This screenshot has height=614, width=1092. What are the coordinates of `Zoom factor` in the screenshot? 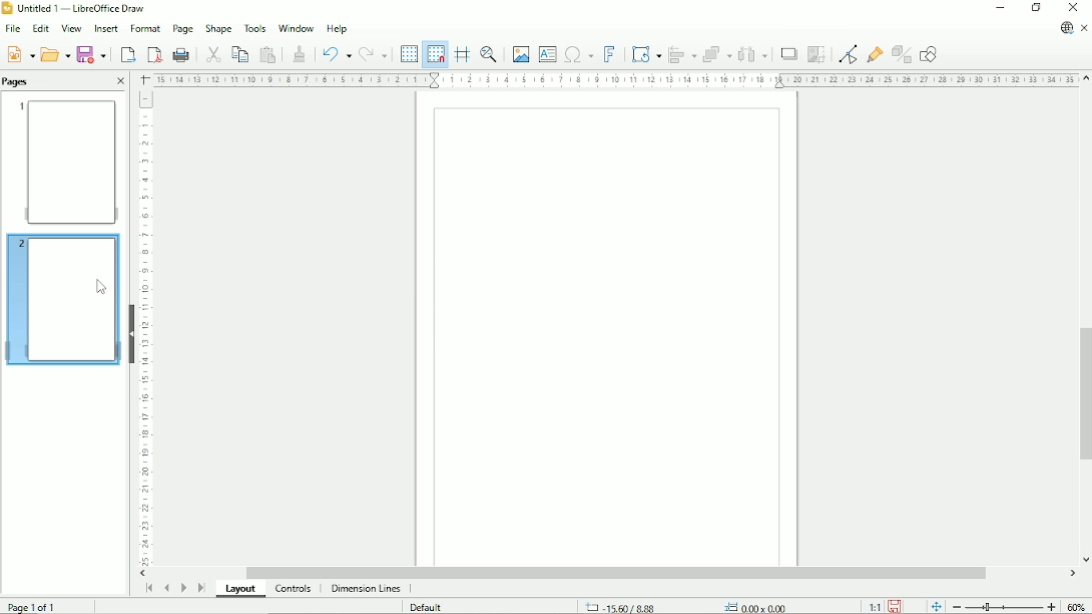 It's located at (1077, 606).